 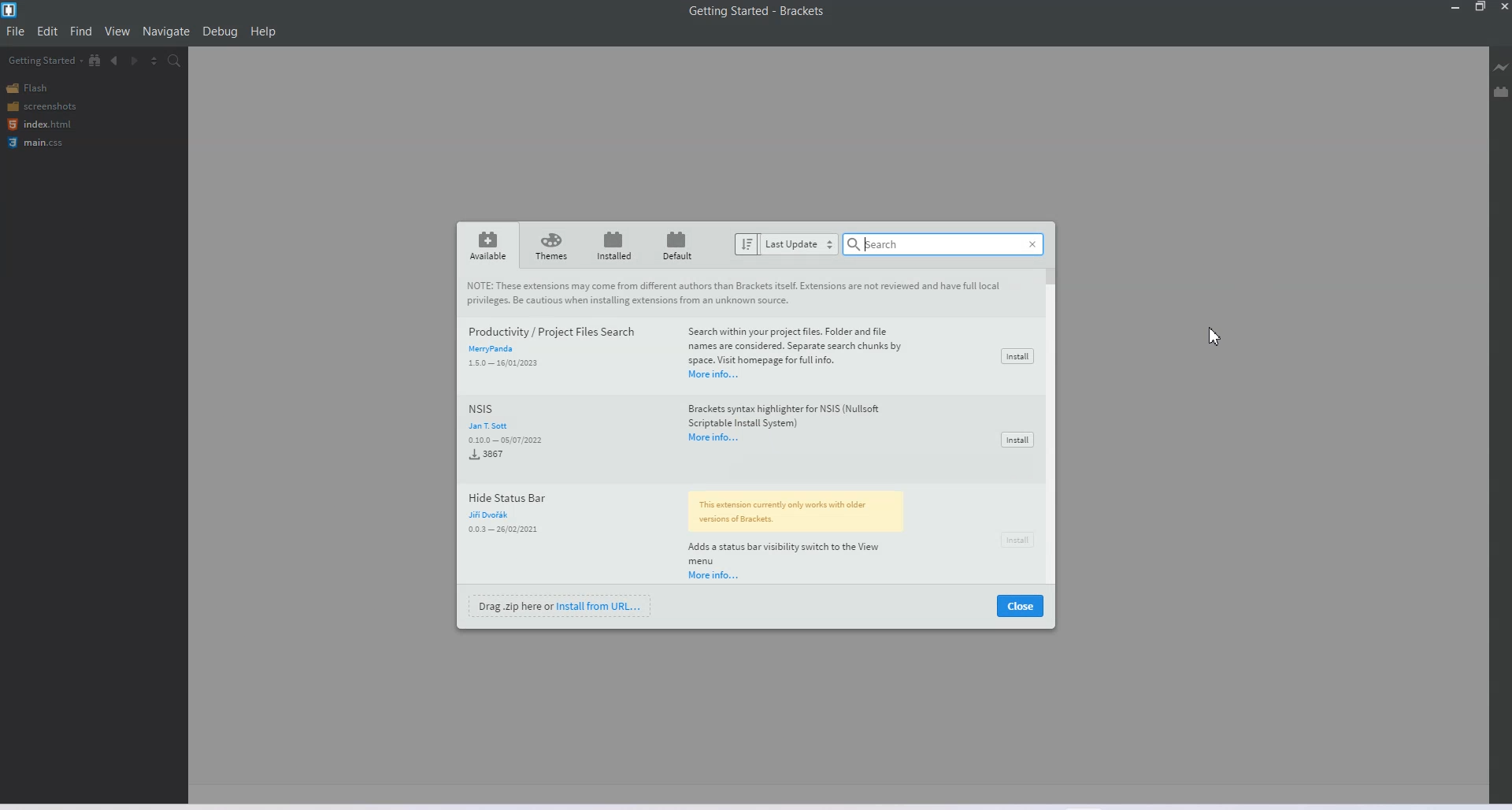 I want to click on index.html, so click(x=39, y=124).